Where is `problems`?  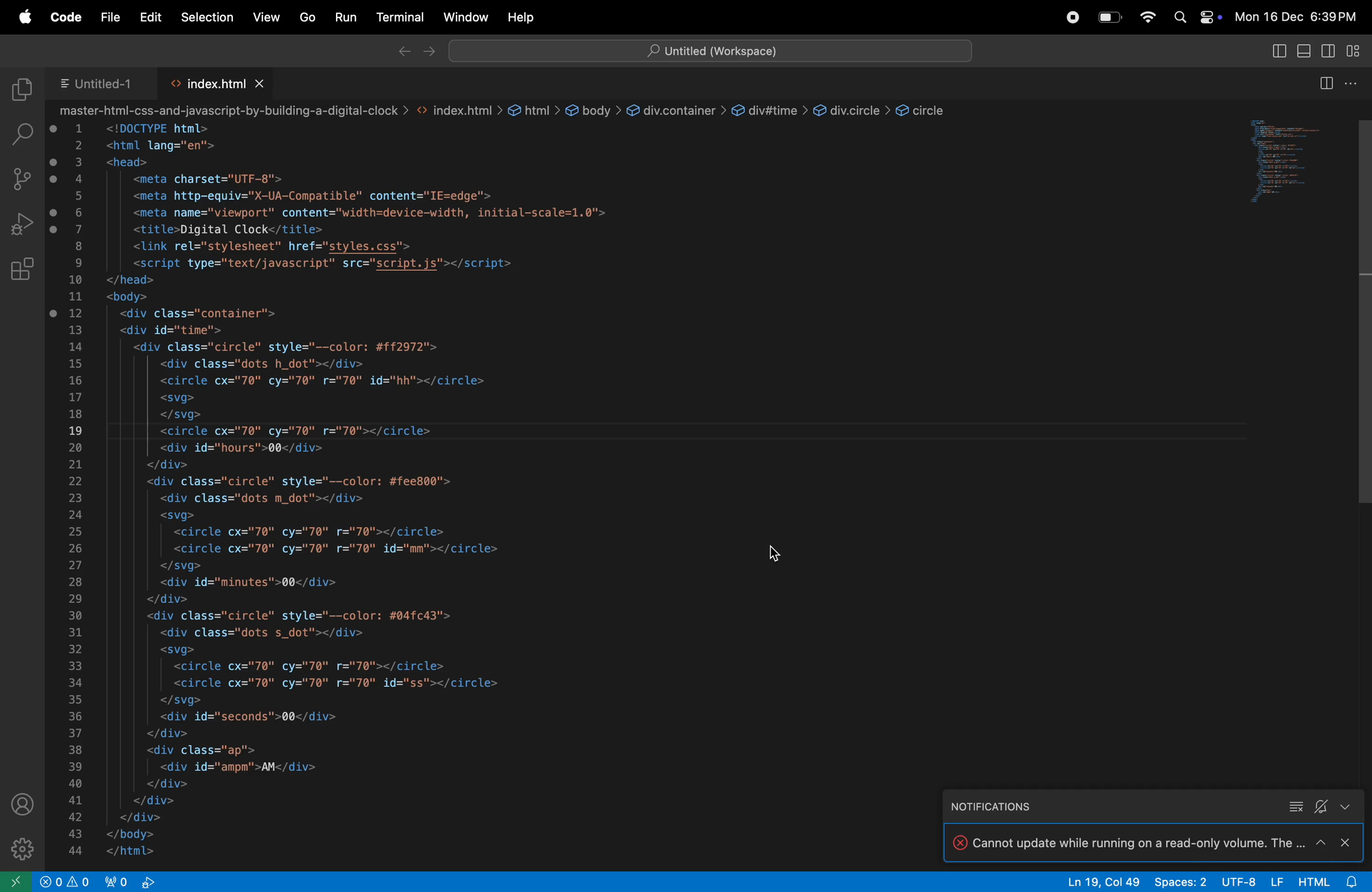 problems is located at coordinates (67, 881).